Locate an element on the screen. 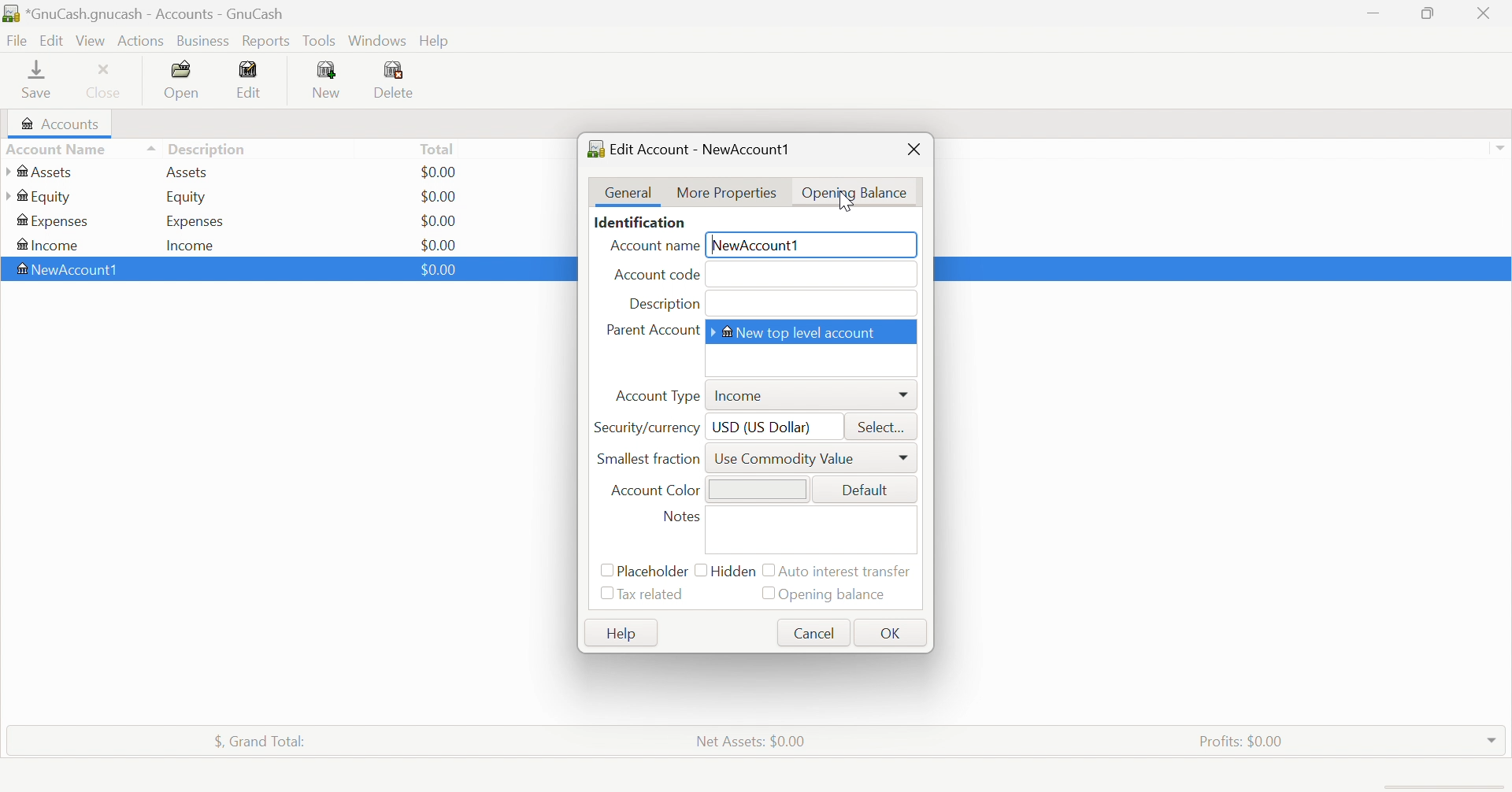  Select... is located at coordinates (879, 425).